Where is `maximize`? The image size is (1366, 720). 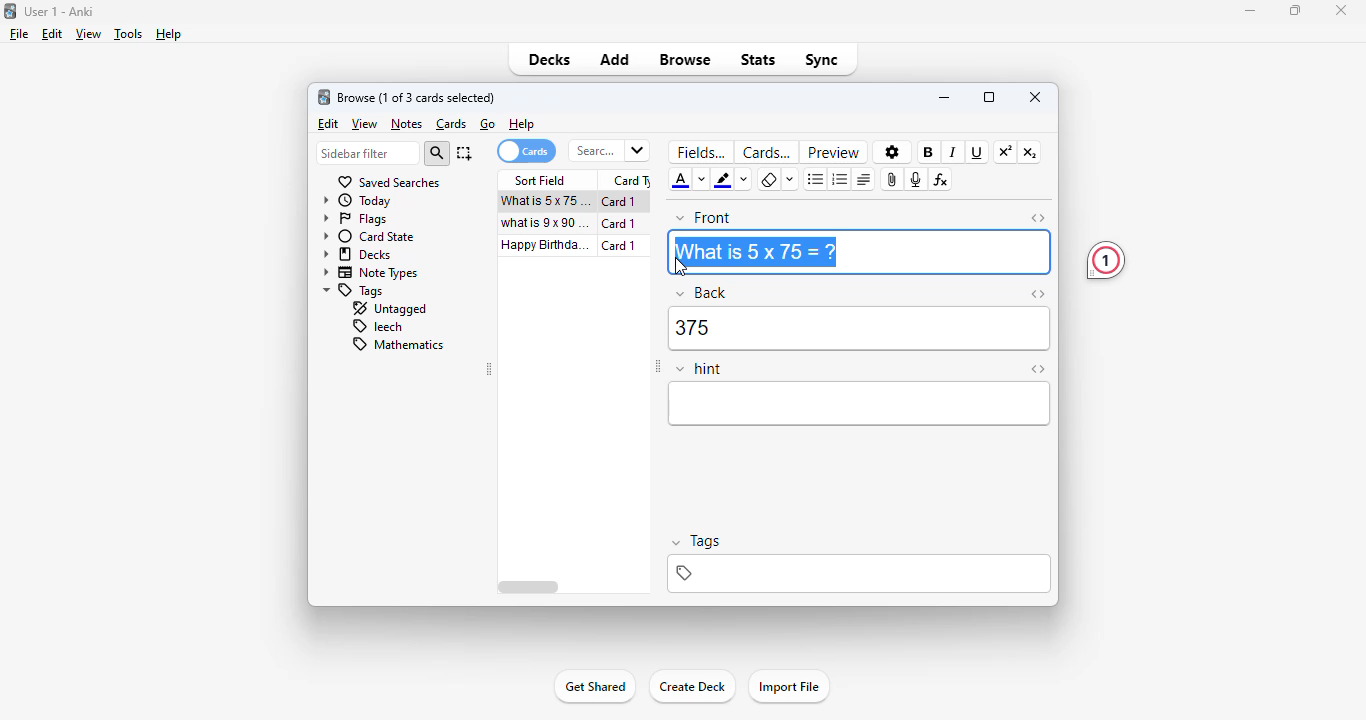 maximize is located at coordinates (989, 98).